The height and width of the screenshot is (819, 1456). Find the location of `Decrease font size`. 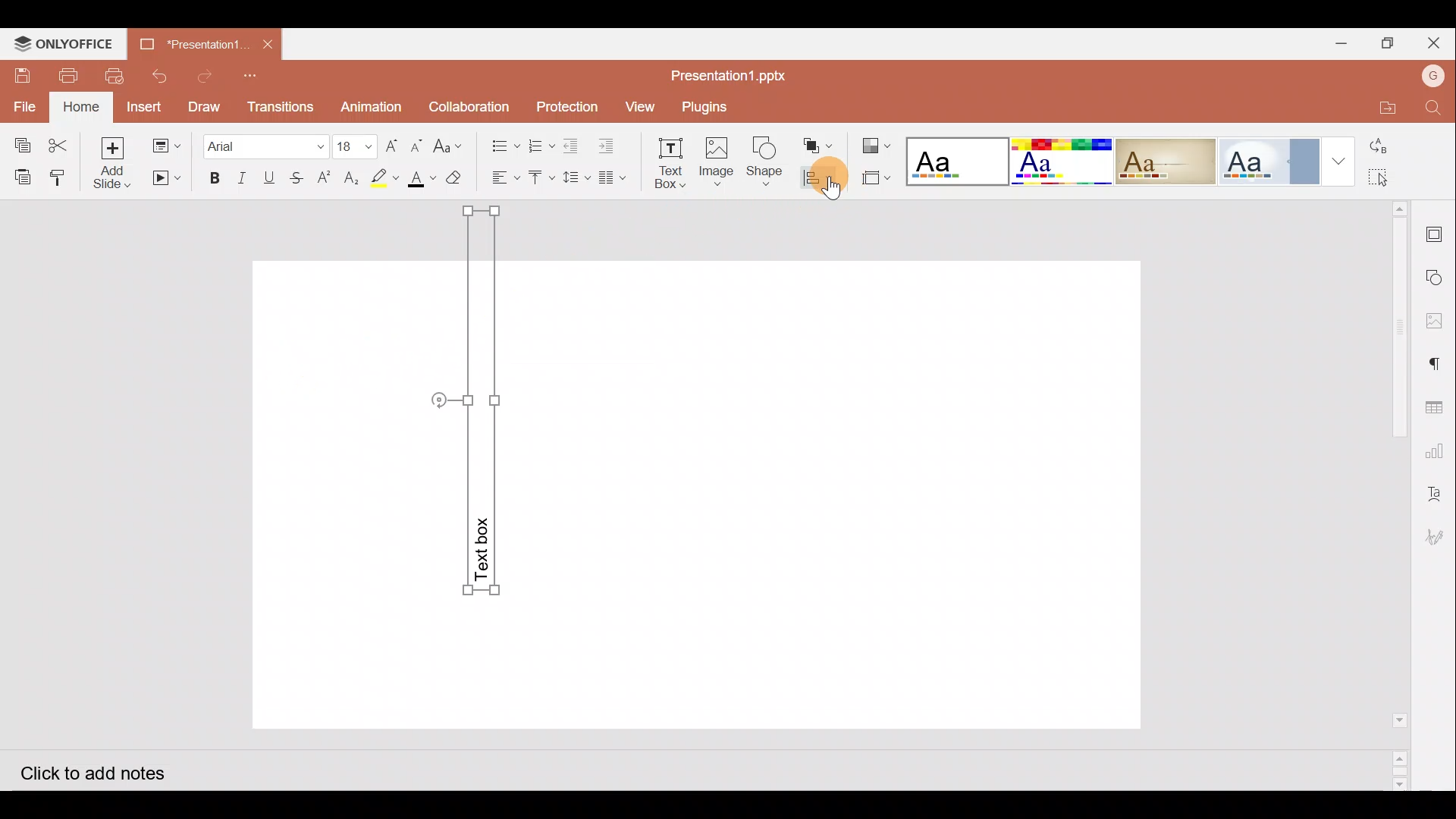

Decrease font size is located at coordinates (416, 144).